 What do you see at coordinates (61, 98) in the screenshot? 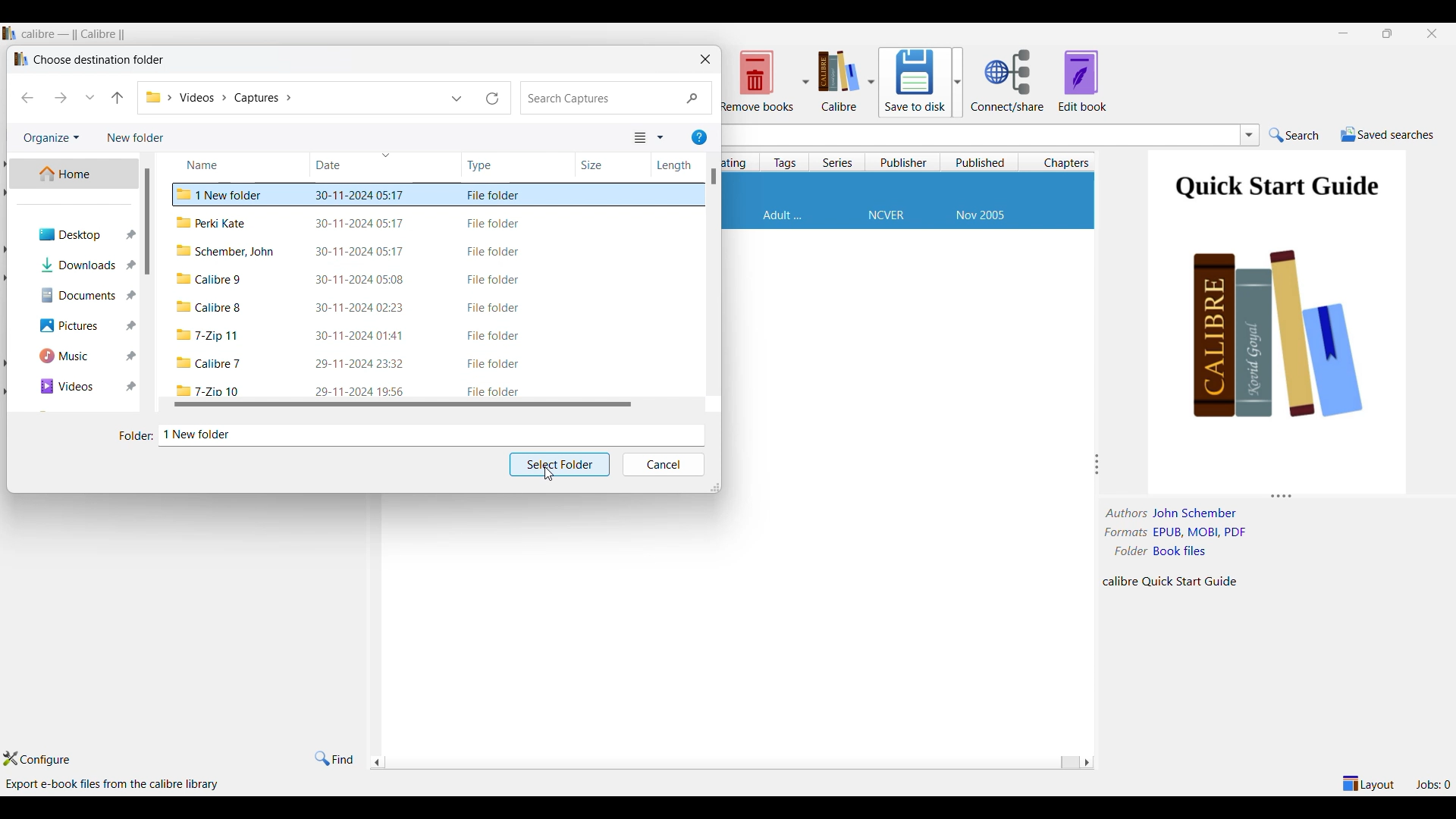
I see `Go forward` at bounding box center [61, 98].